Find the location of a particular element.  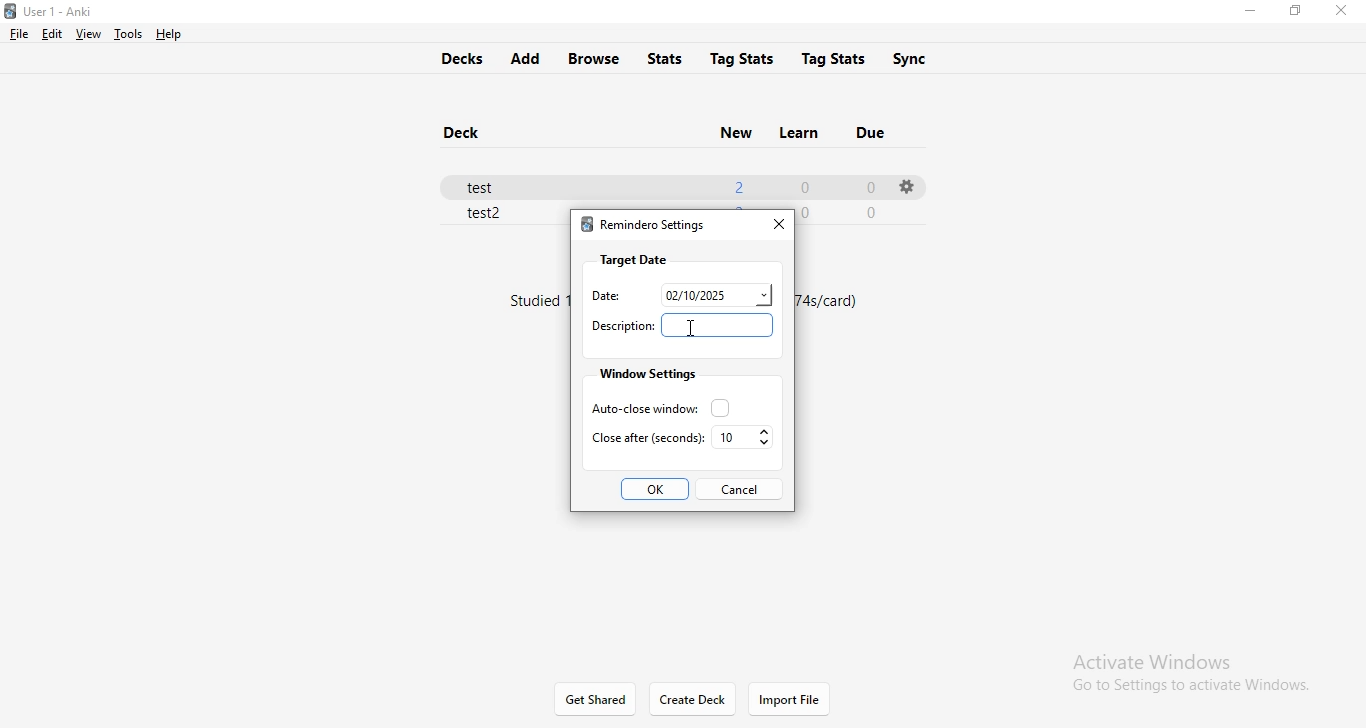

target date is located at coordinates (633, 259).